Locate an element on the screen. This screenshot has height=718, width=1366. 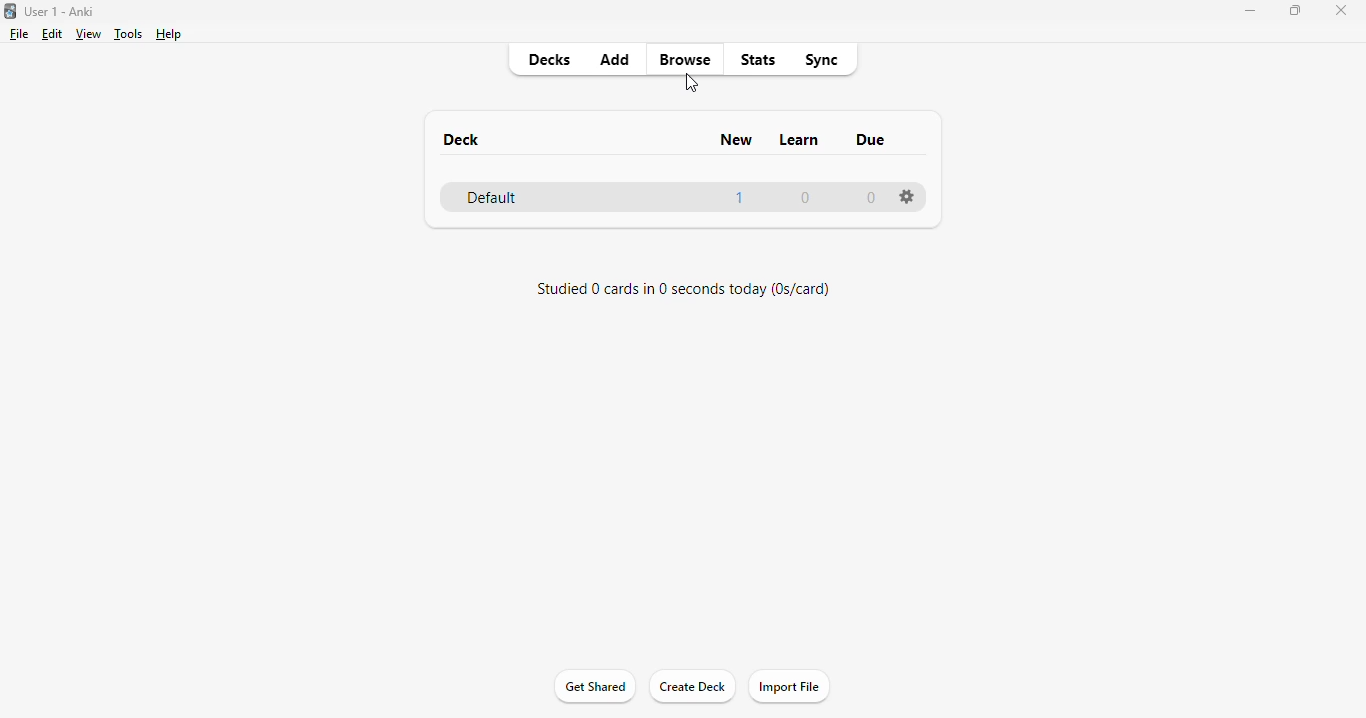
stats is located at coordinates (759, 59).